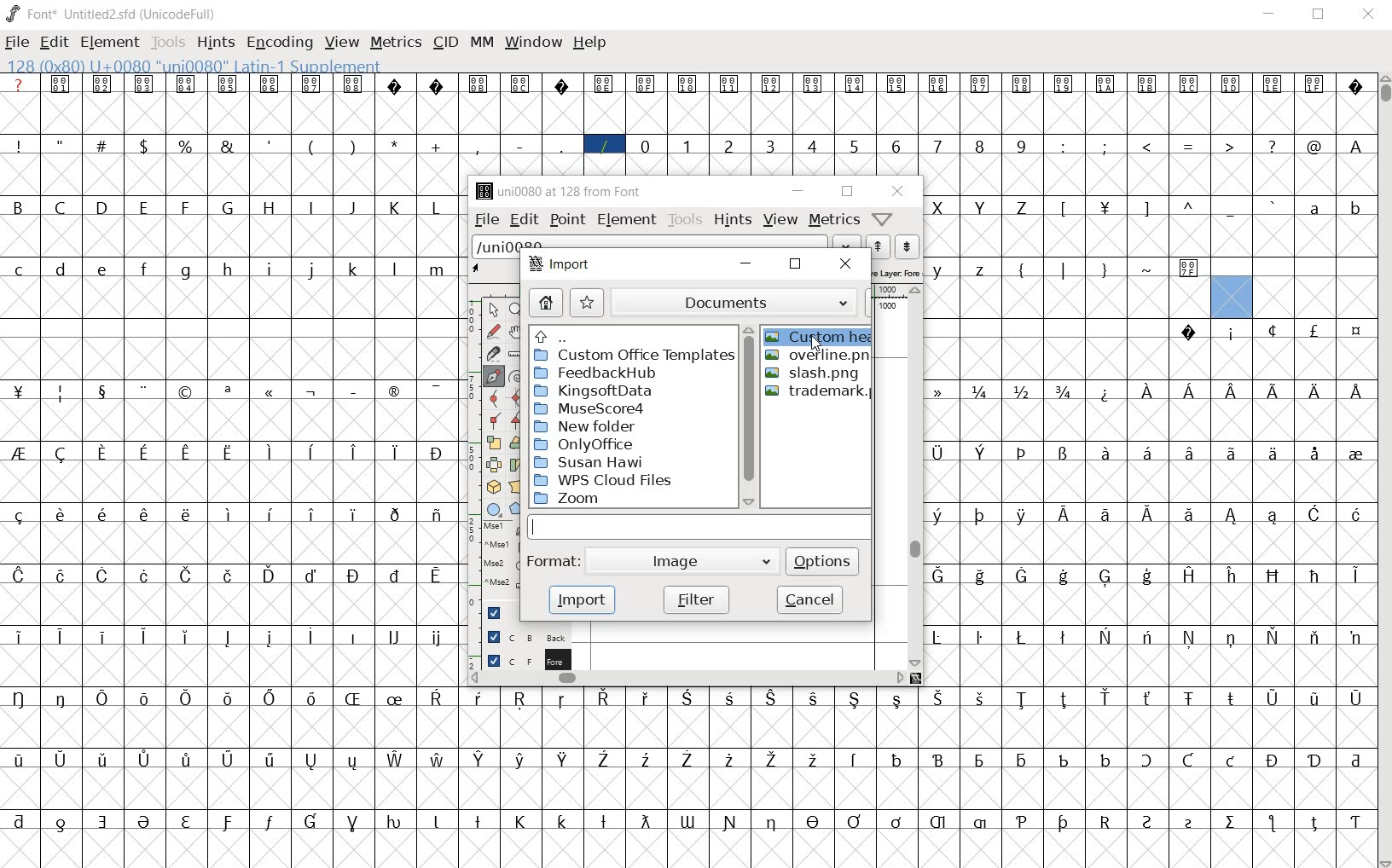  Describe the element at coordinates (1229, 145) in the screenshot. I see `glyph` at that location.